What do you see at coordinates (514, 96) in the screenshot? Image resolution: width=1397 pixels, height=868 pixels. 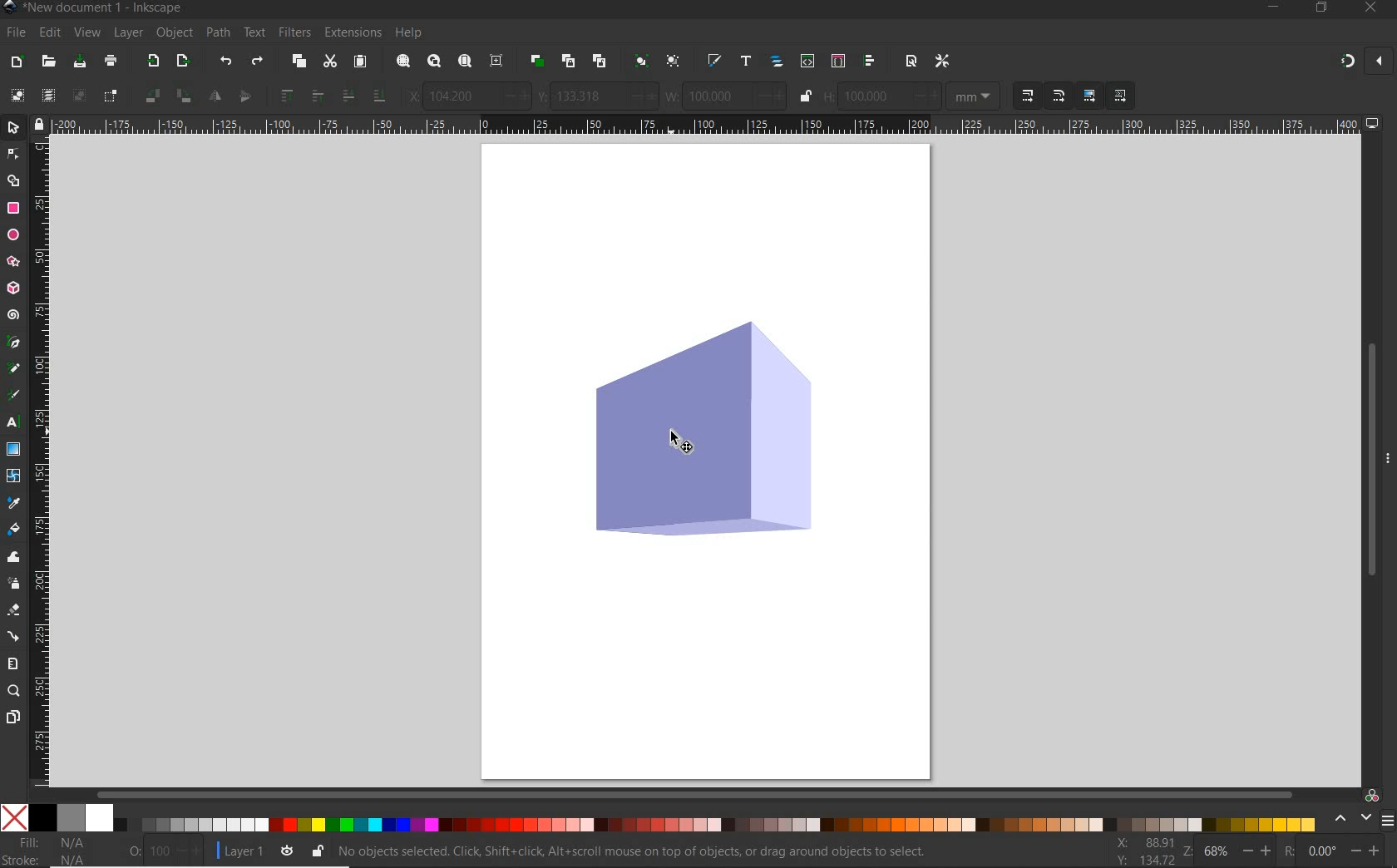 I see `increase/decrease` at bounding box center [514, 96].